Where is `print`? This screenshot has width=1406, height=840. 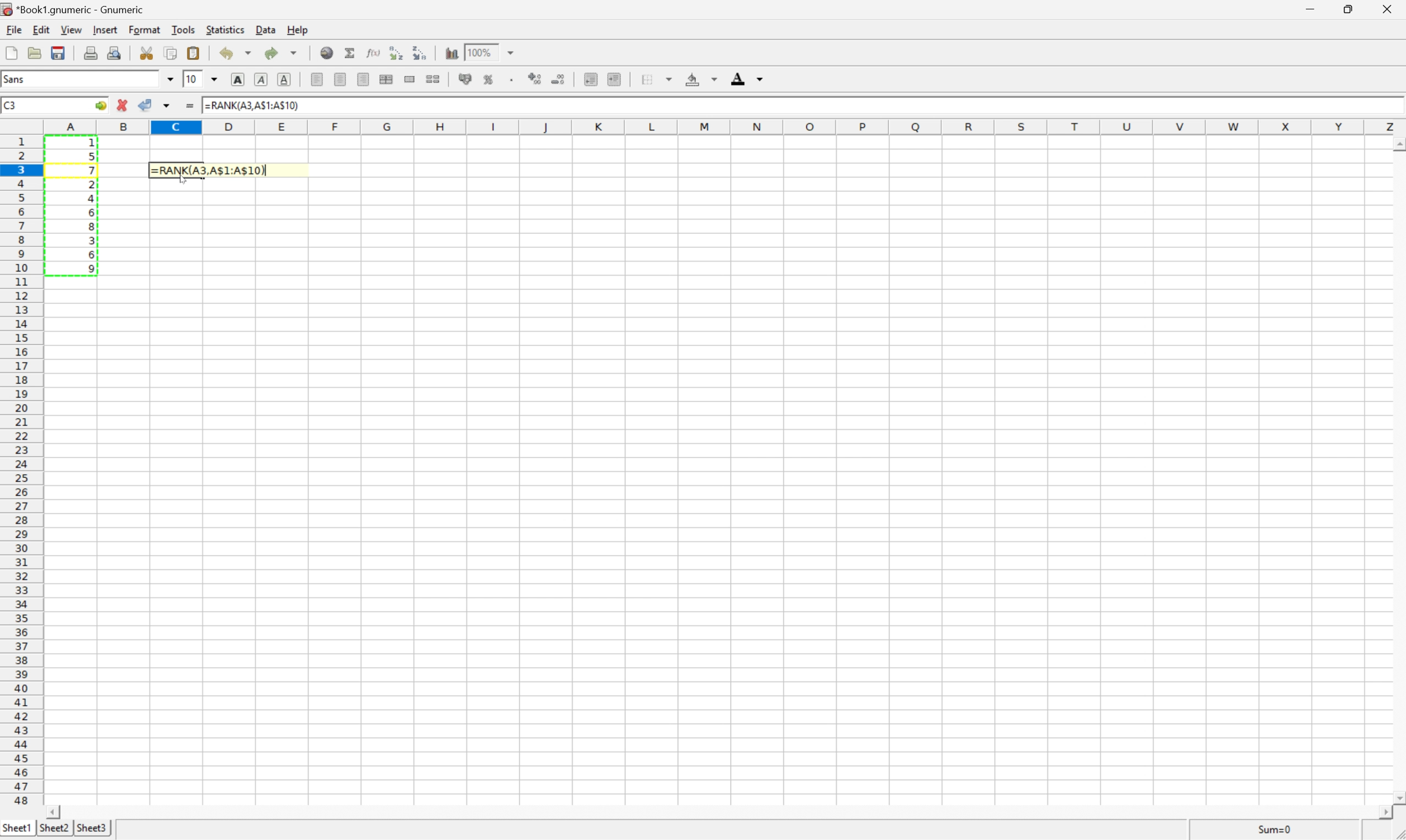
print is located at coordinates (91, 53).